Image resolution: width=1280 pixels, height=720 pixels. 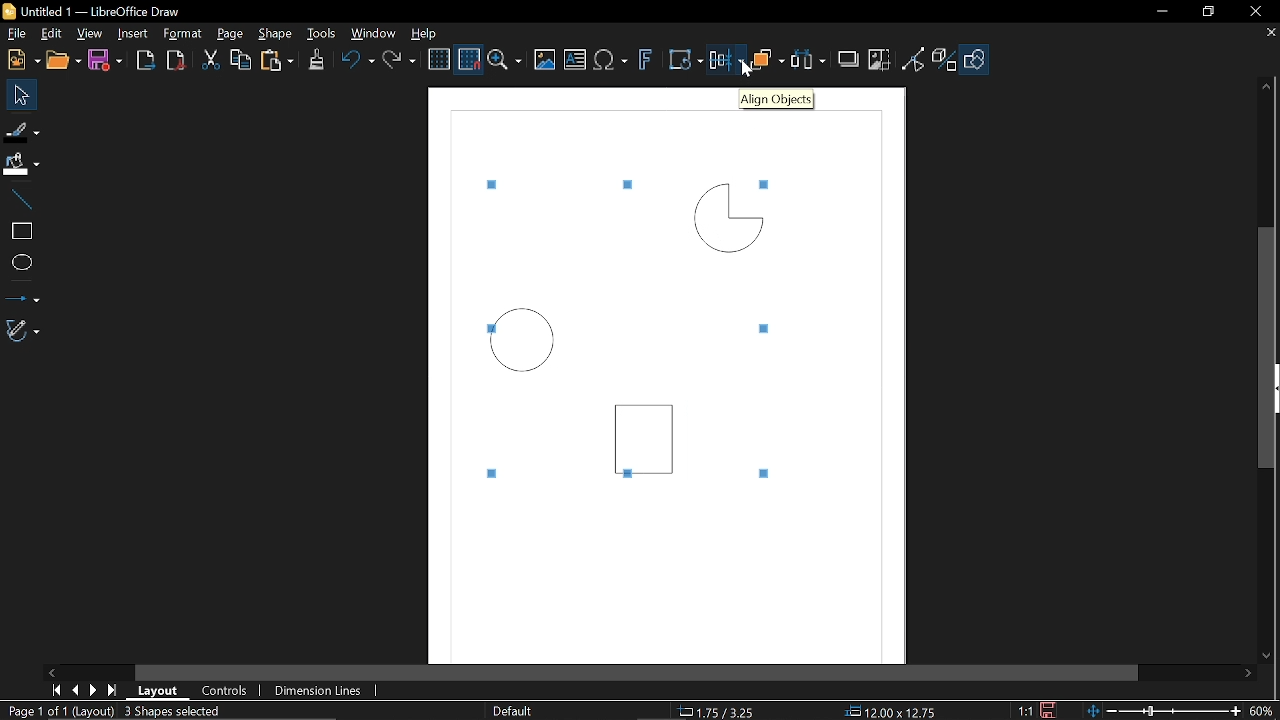 What do you see at coordinates (768, 62) in the screenshot?
I see `Arrange` at bounding box center [768, 62].